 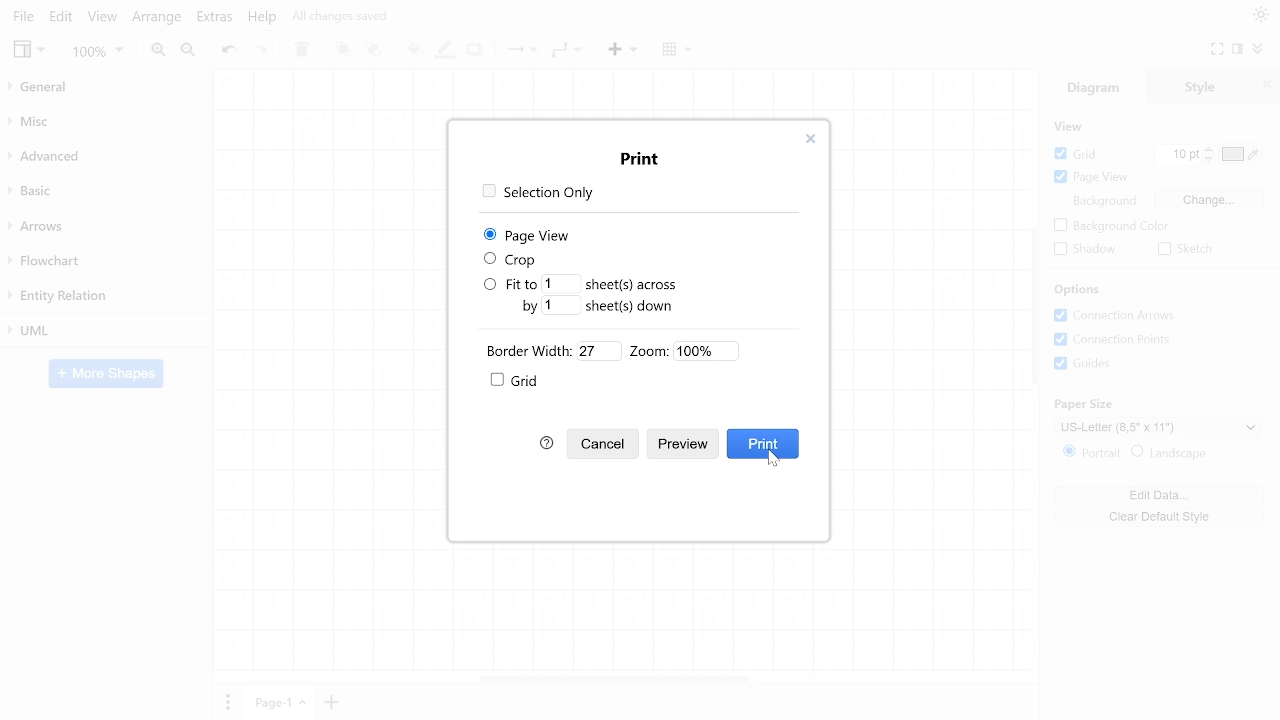 I want to click on To front, so click(x=340, y=50).